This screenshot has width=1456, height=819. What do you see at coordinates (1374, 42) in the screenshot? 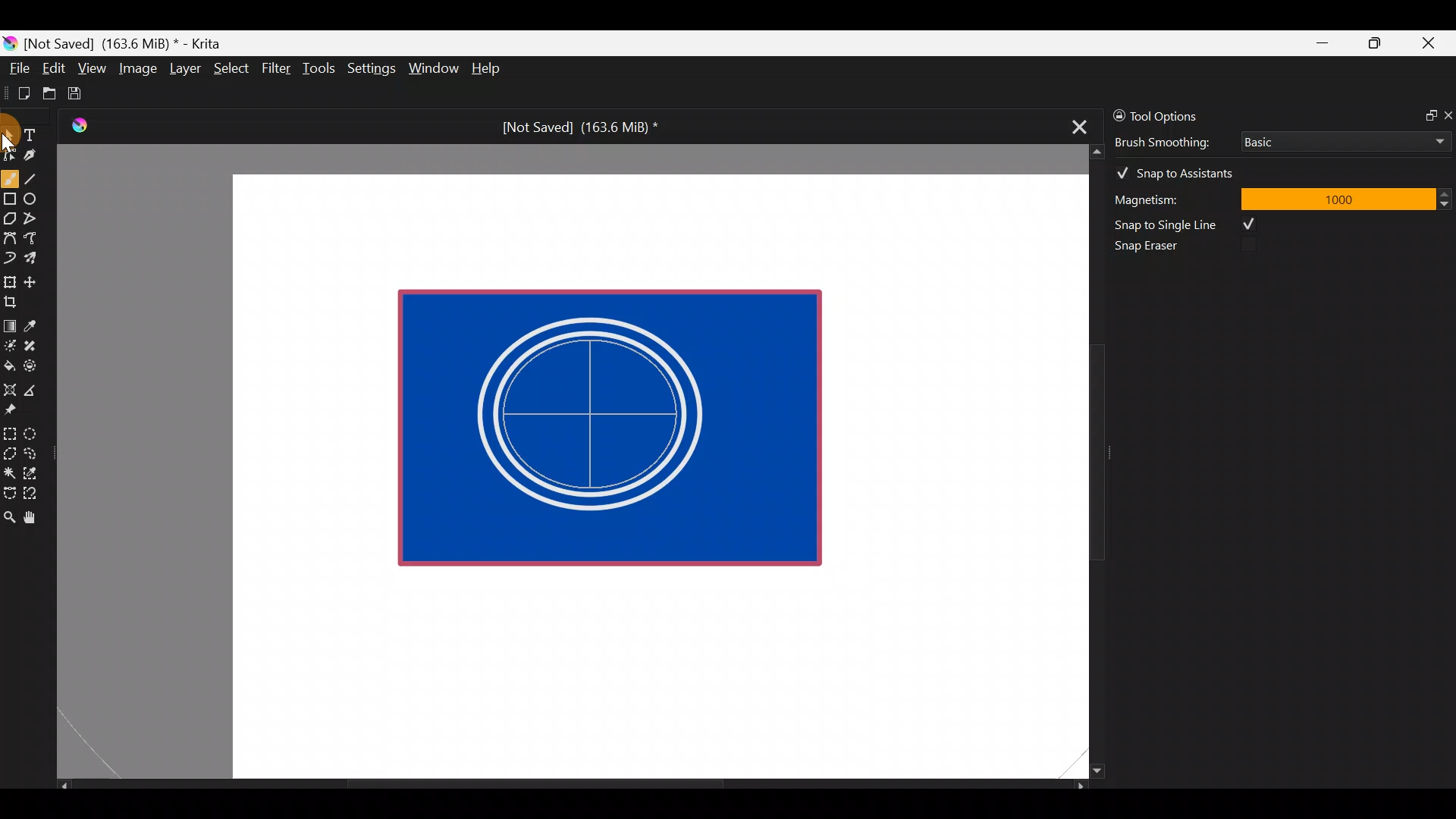
I see `Maximize` at bounding box center [1374, 42].